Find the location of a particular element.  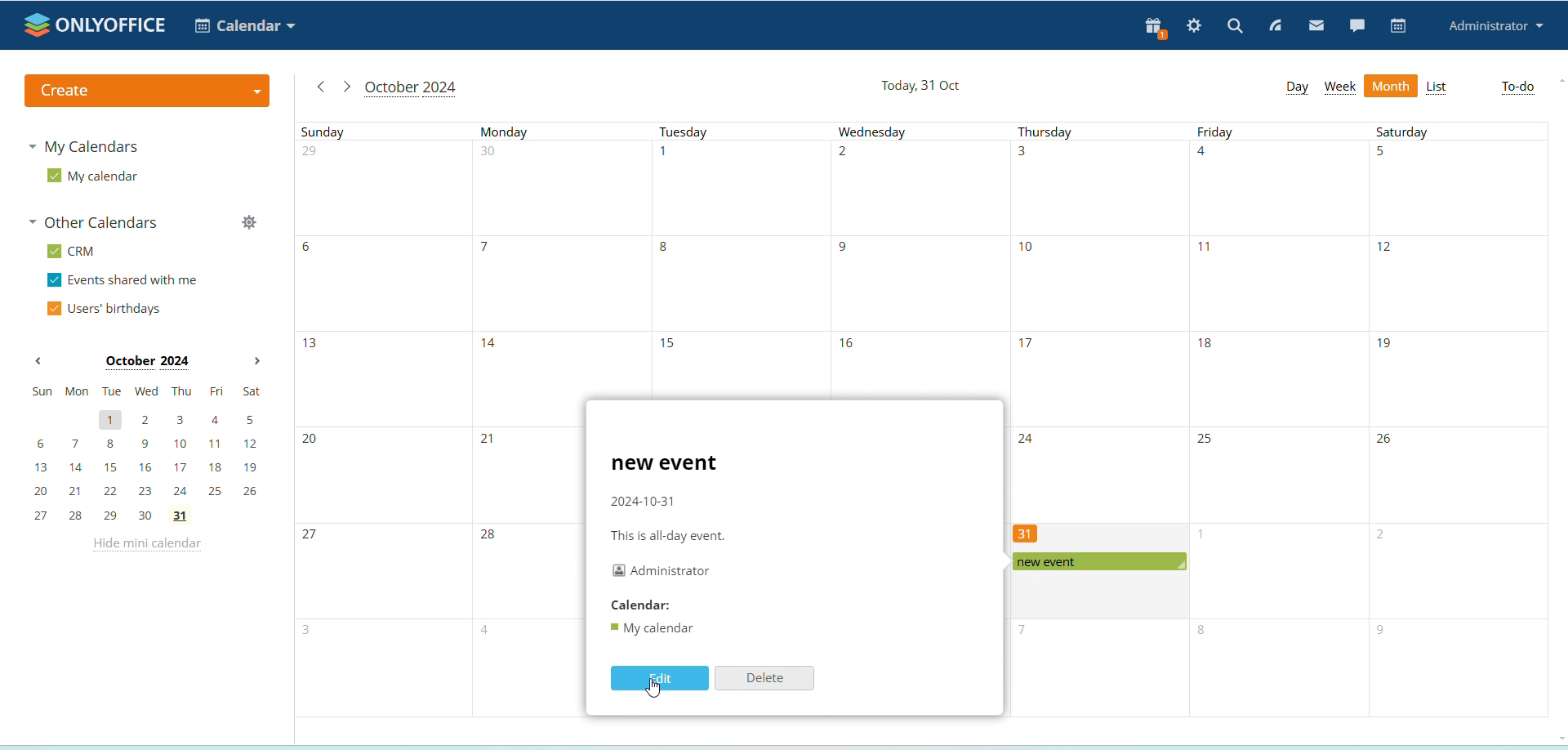

CRM is located at coordinates (73, 252).